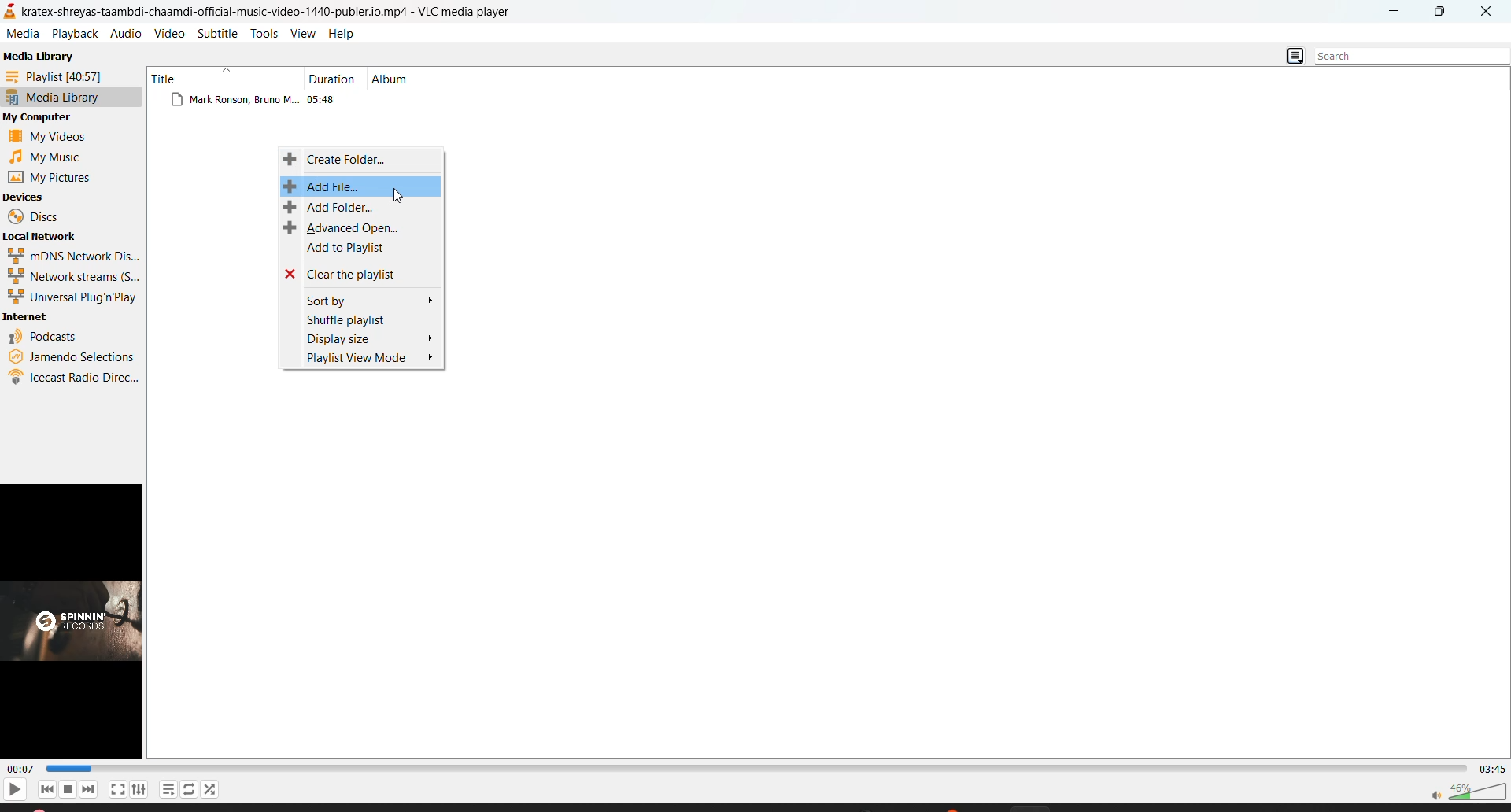 The width and height of the screenshot is (1511, 812). What do you see at coordinates (1401, 53) in the screenshot?
I see `search` at bounding box center [1401, 53].